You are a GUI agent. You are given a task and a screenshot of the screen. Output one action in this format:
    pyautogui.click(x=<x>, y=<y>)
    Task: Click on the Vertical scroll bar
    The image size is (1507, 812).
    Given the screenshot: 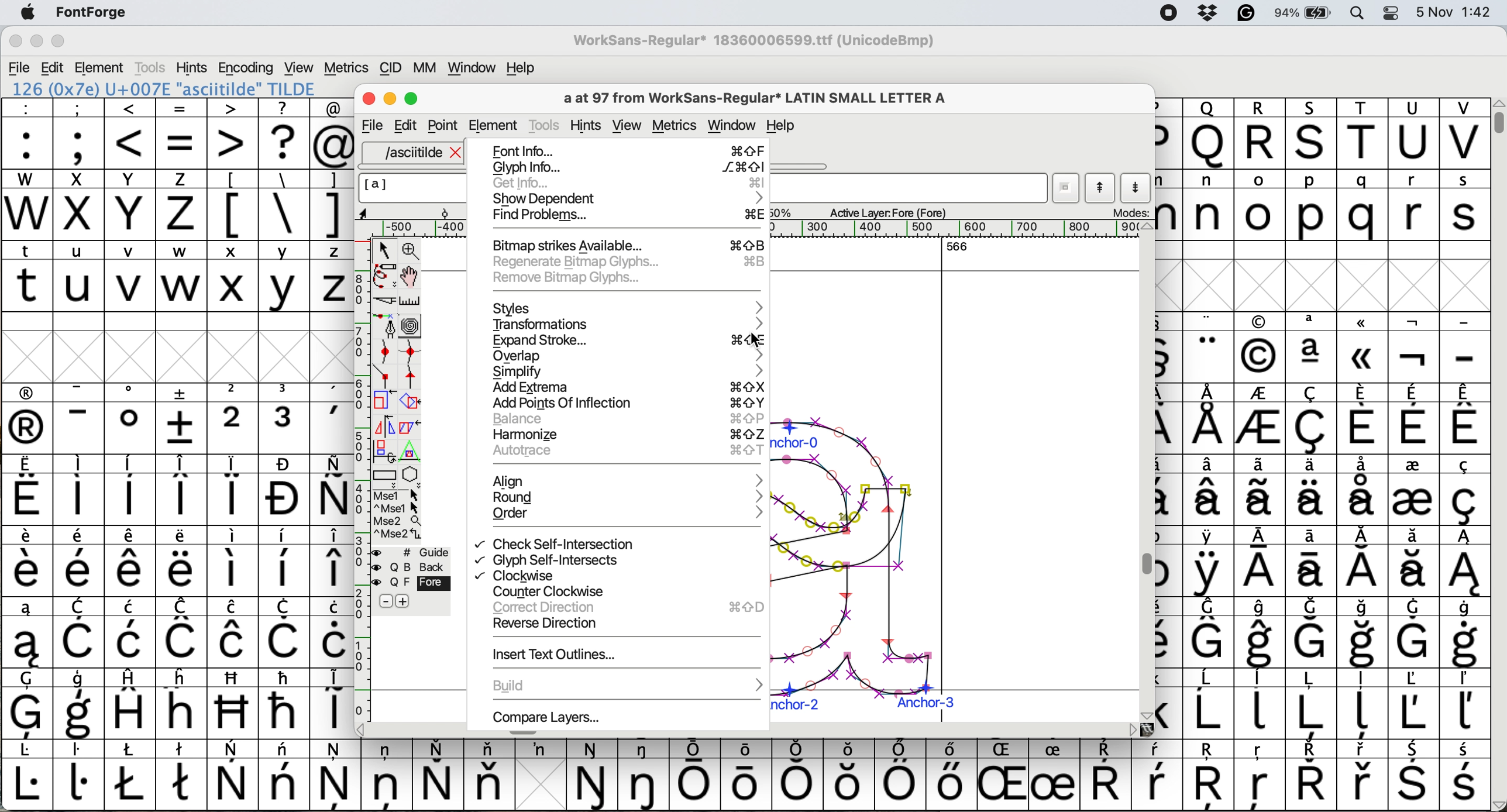 What is the action you would take?
    pyautogui.click(x=1143, y=566)
    